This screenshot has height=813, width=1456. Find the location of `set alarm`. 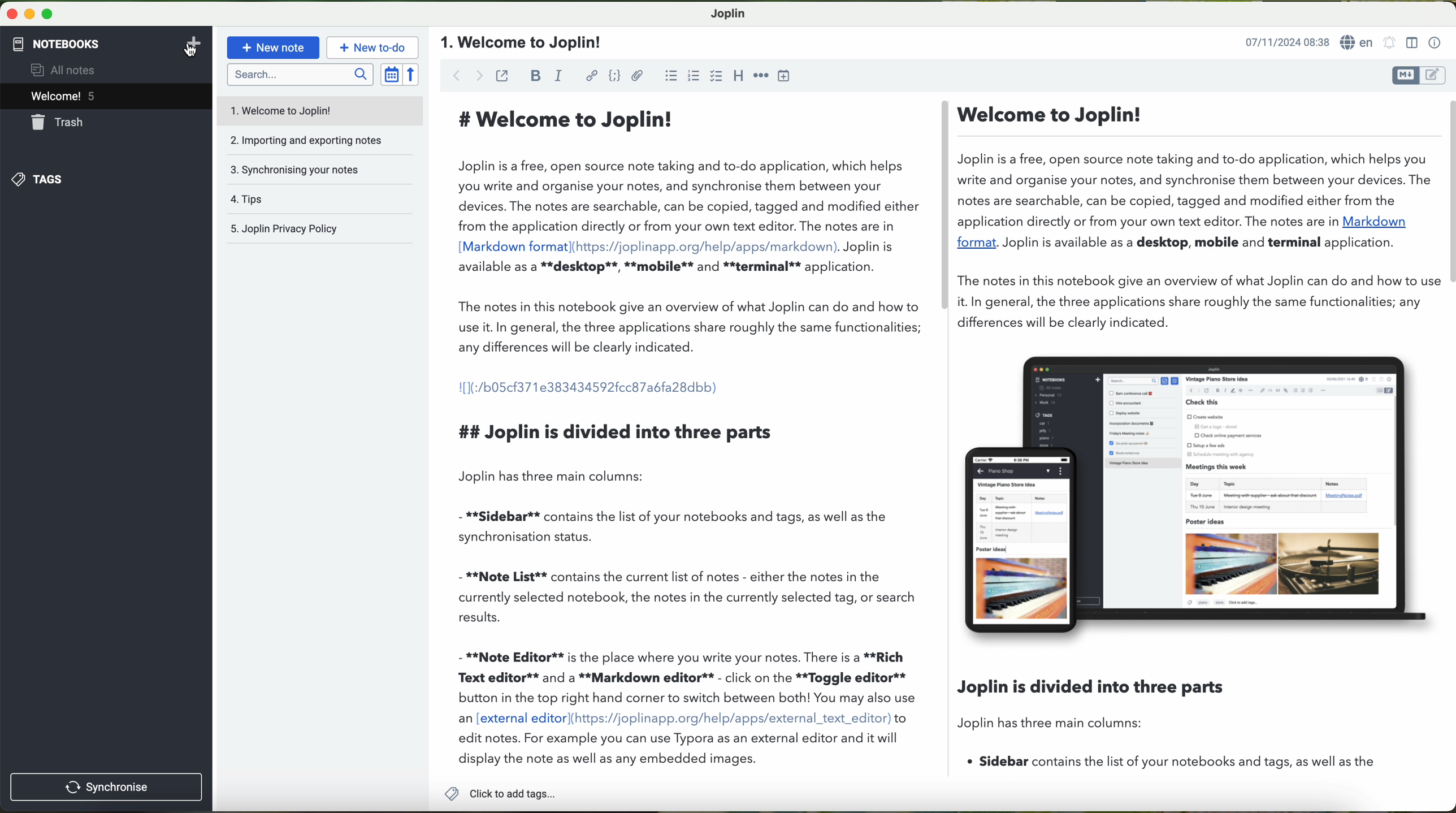

set alarm is located at coordinates (1389, 45).